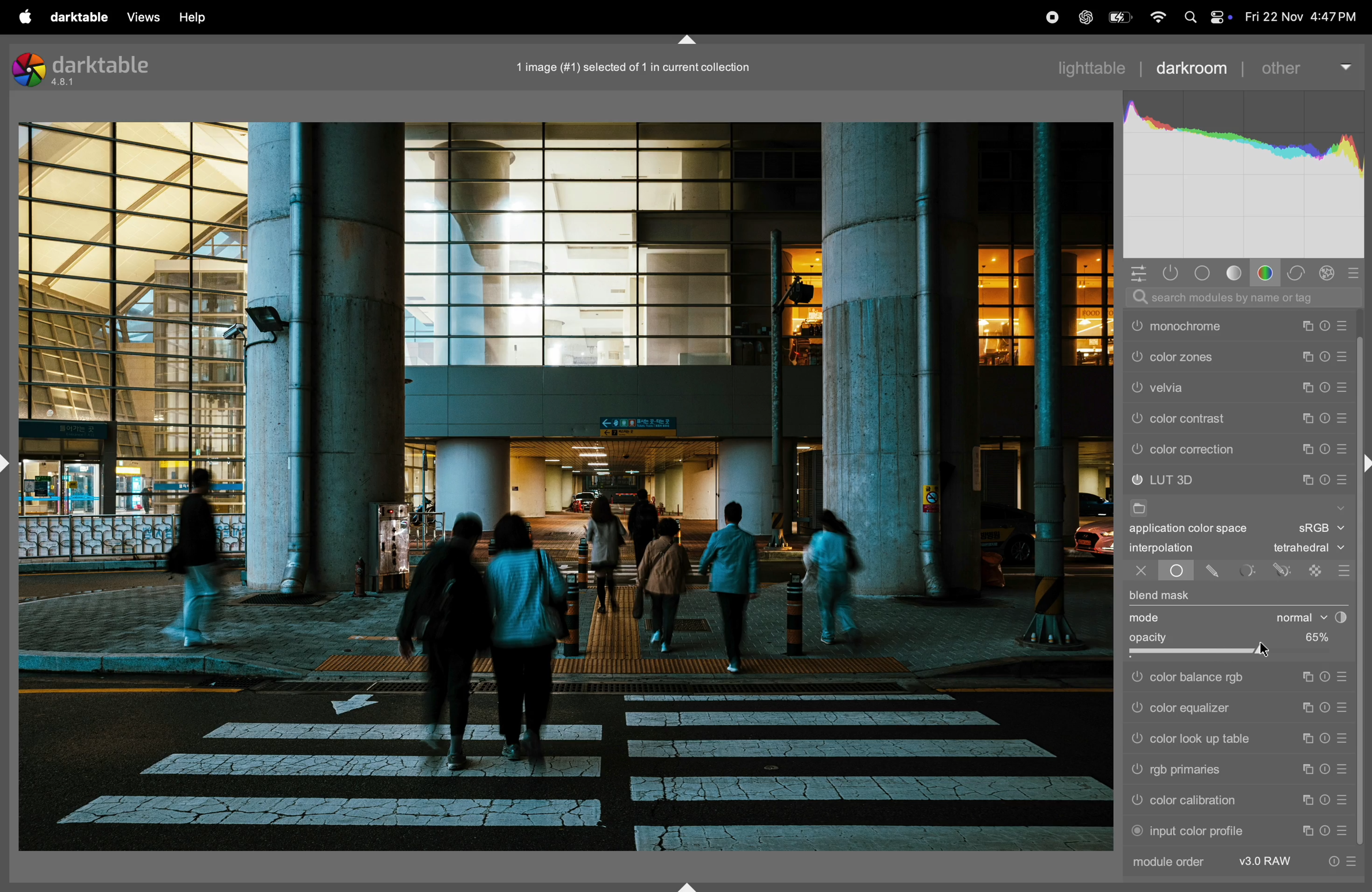  Describe the element at coordinates (1137, 449) in the screenshot. I see `color correction switched off` at that location.